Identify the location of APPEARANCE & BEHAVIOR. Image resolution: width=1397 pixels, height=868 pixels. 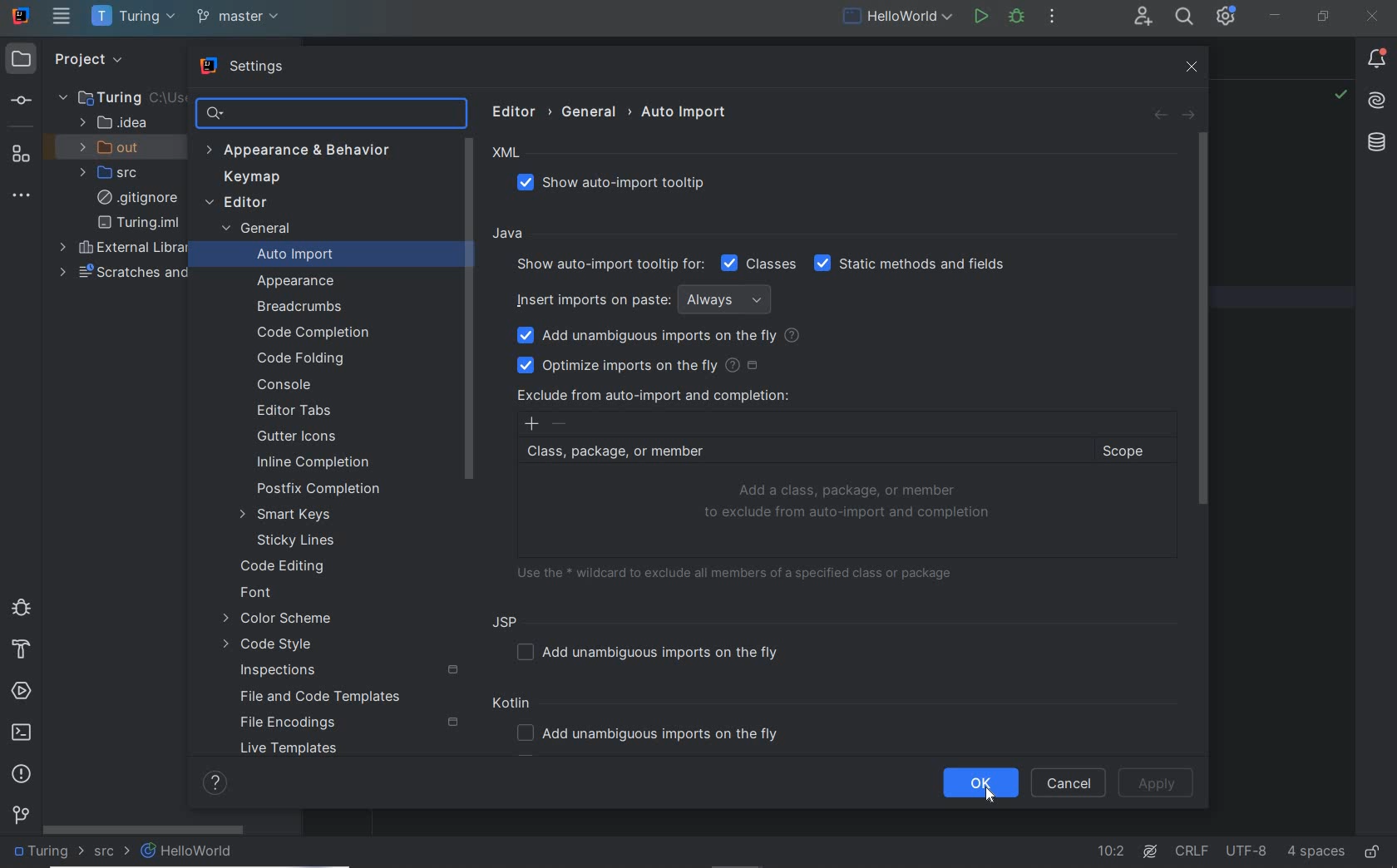
(306, 151).